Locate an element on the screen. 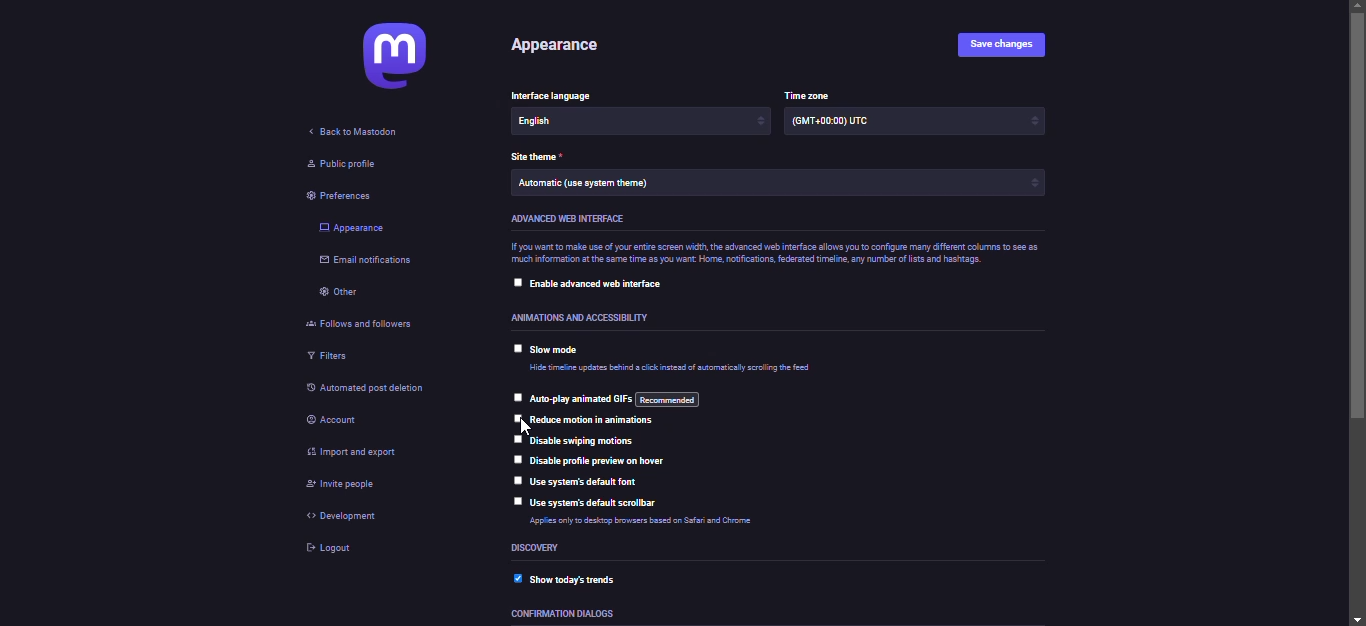 Image resolution: width=1366 pixels, height=626 pixels. disable profile preview on hover is located at coordinates (615, 461).